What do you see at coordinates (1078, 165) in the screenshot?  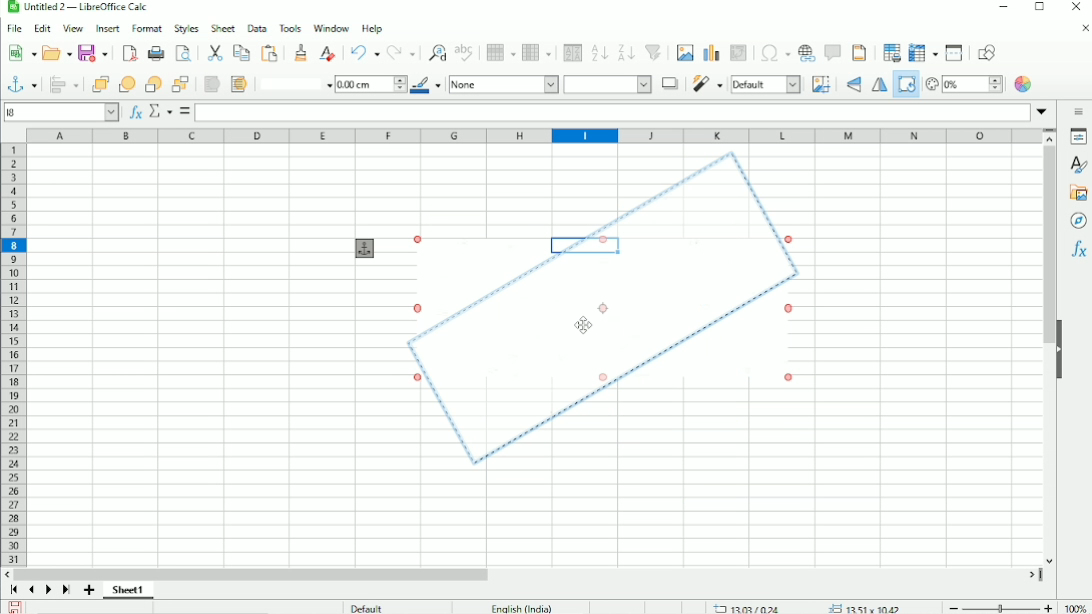 I see `Styles` at bounding box center [1078, 165].